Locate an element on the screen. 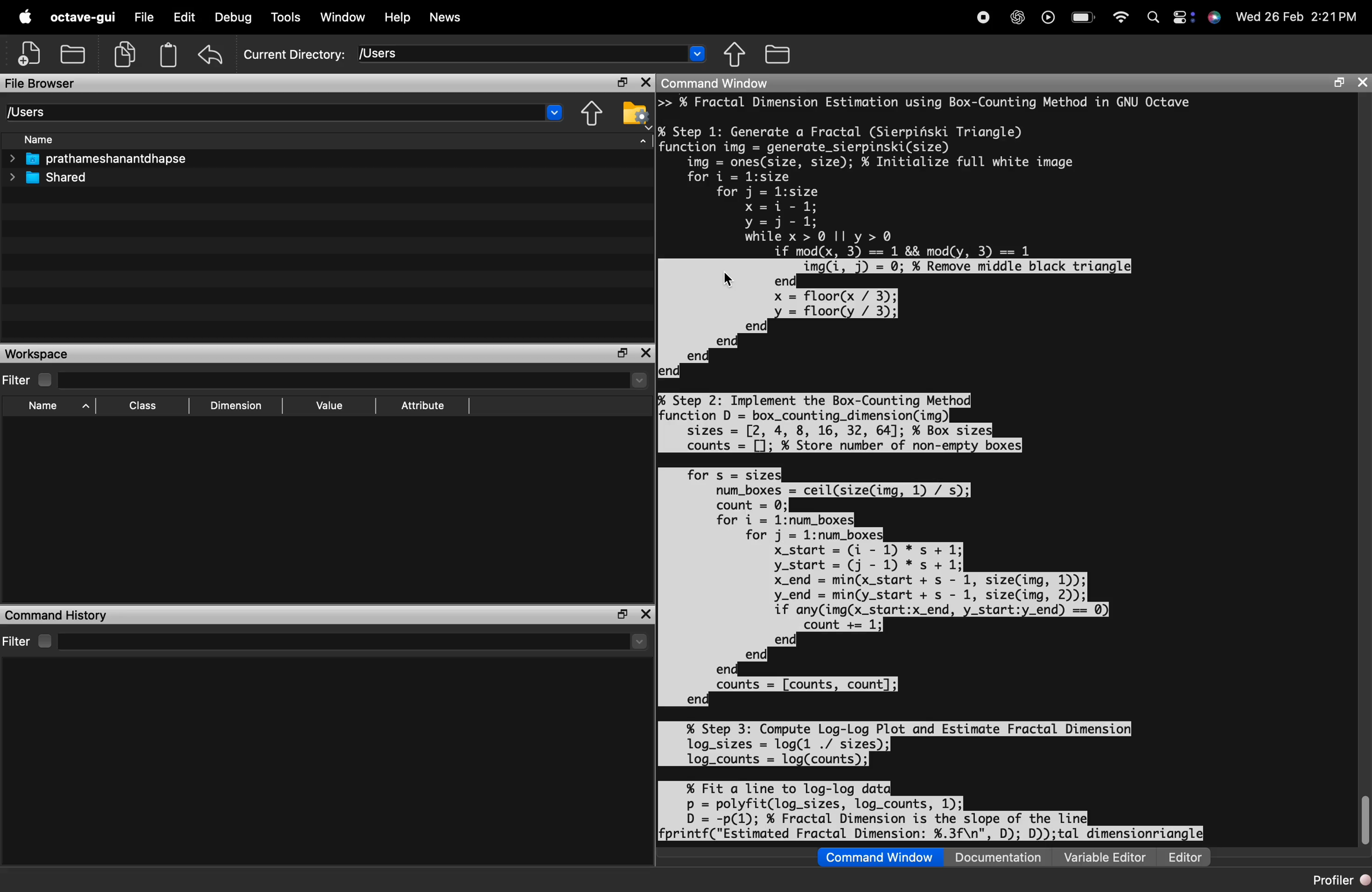 This screenshot has height=892, width=1372. dropdown is located at coordinates (700, 52).